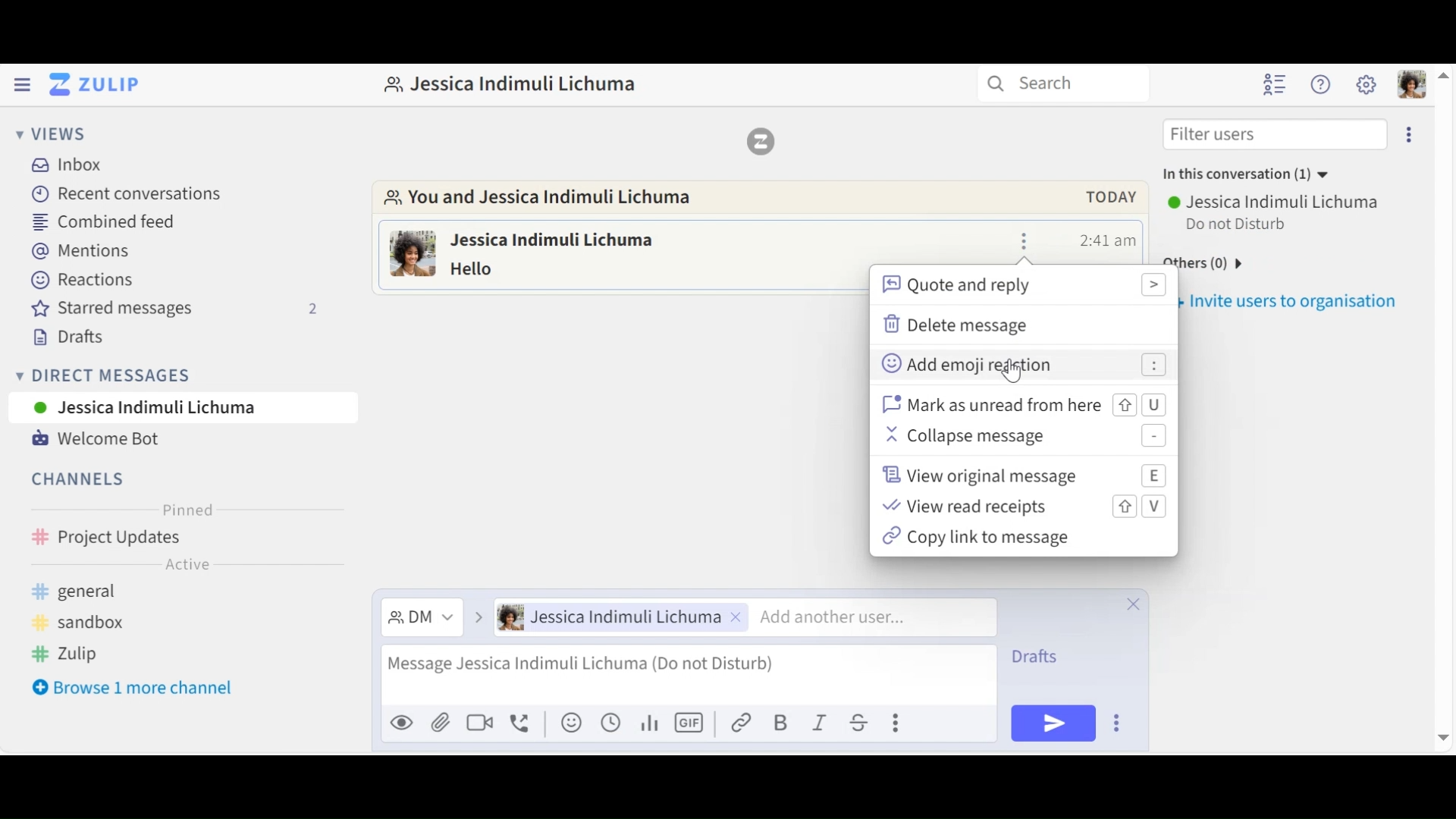  What do you see at coordinates (65, 337) in the screenshot?
I see `Drafts` at bounding box center [65, 337].